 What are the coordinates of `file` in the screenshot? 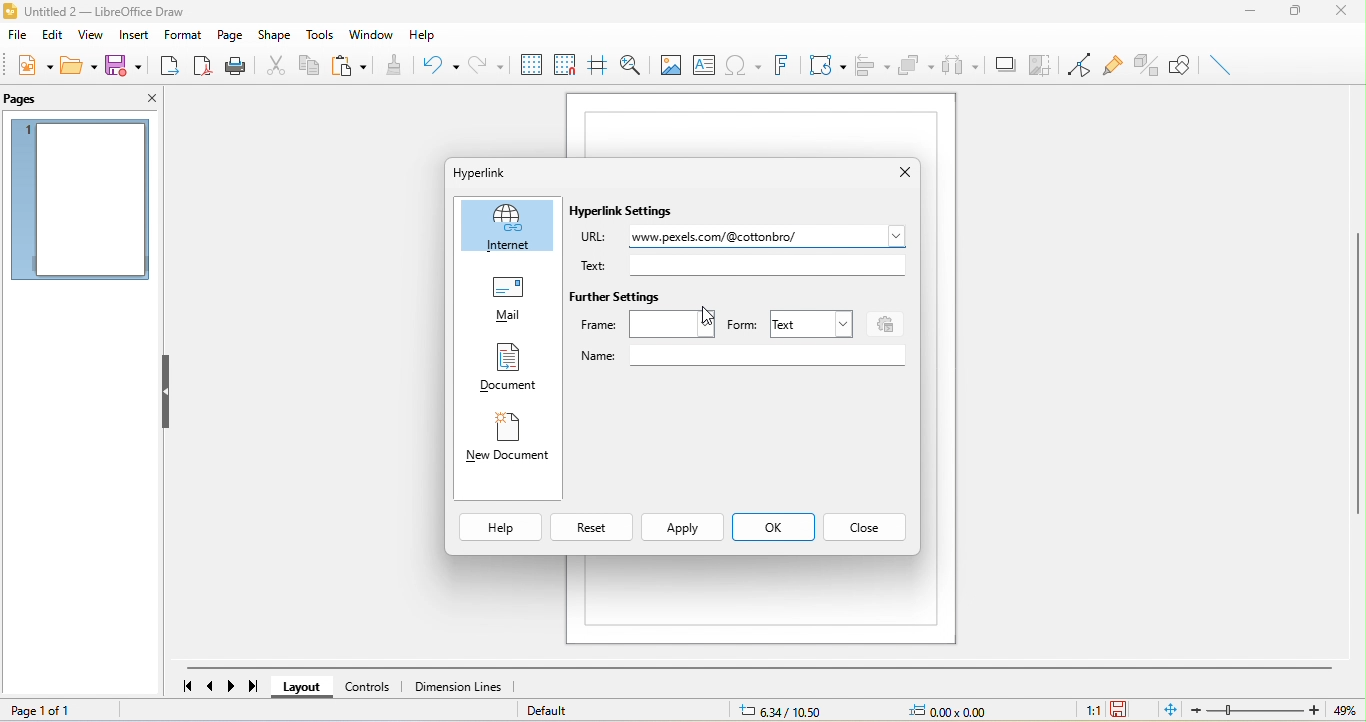 It's located at (15, 35).